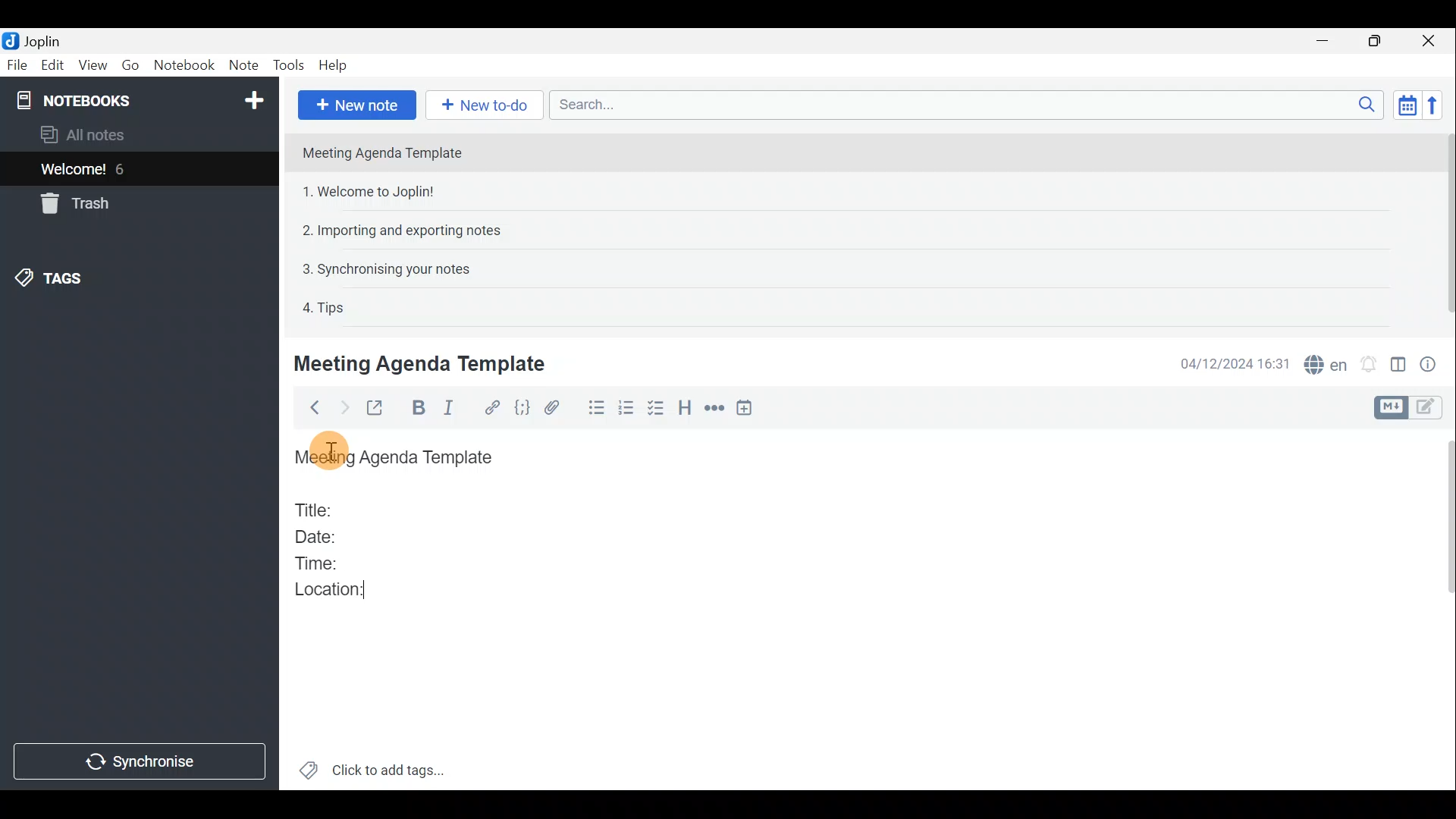 The image size is (1456, 819). I want to click on Synchronise, so click(143, 761).